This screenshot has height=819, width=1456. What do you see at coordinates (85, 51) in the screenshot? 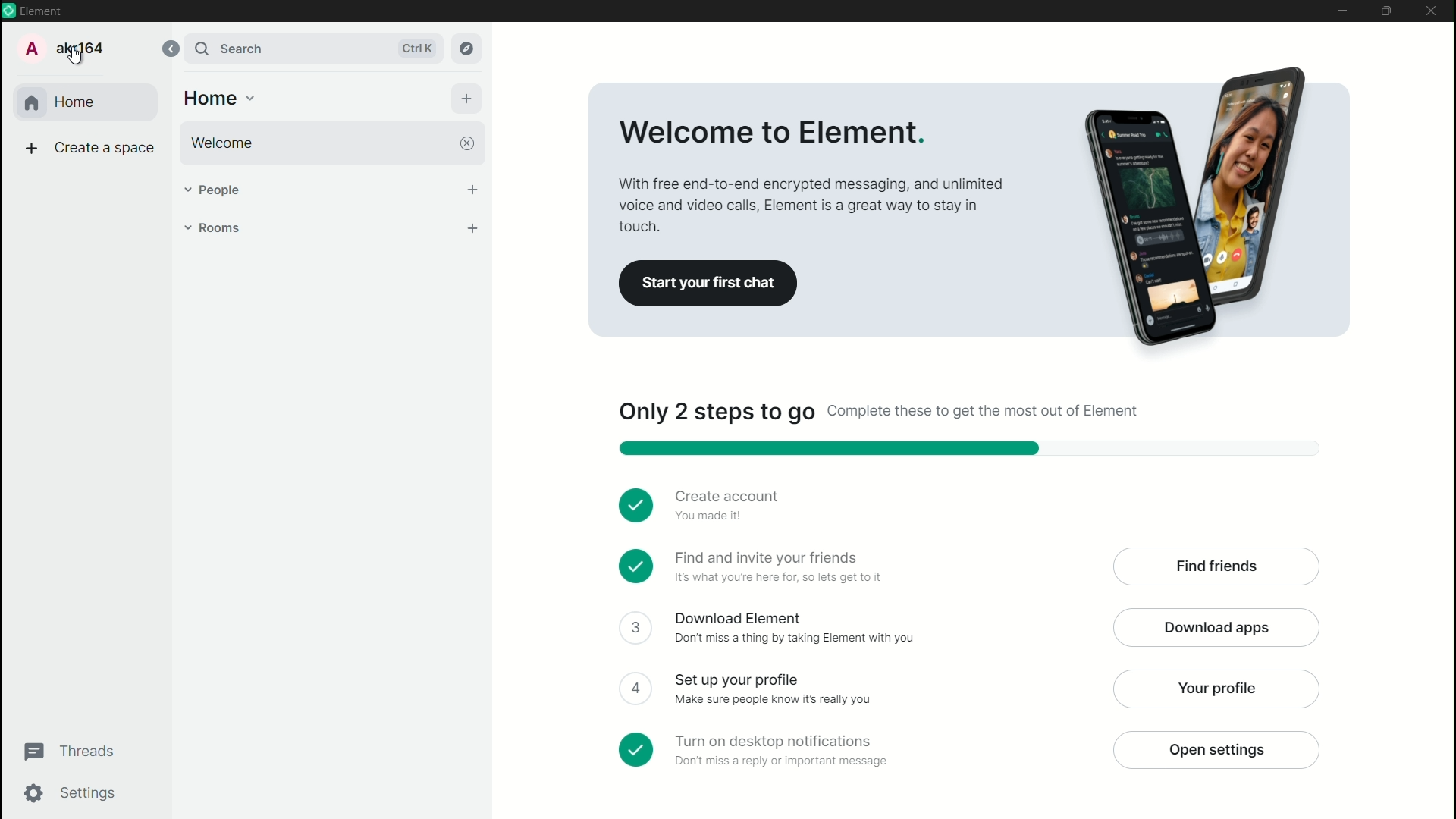
I see `Akr164` at bounding box center [85, 51].